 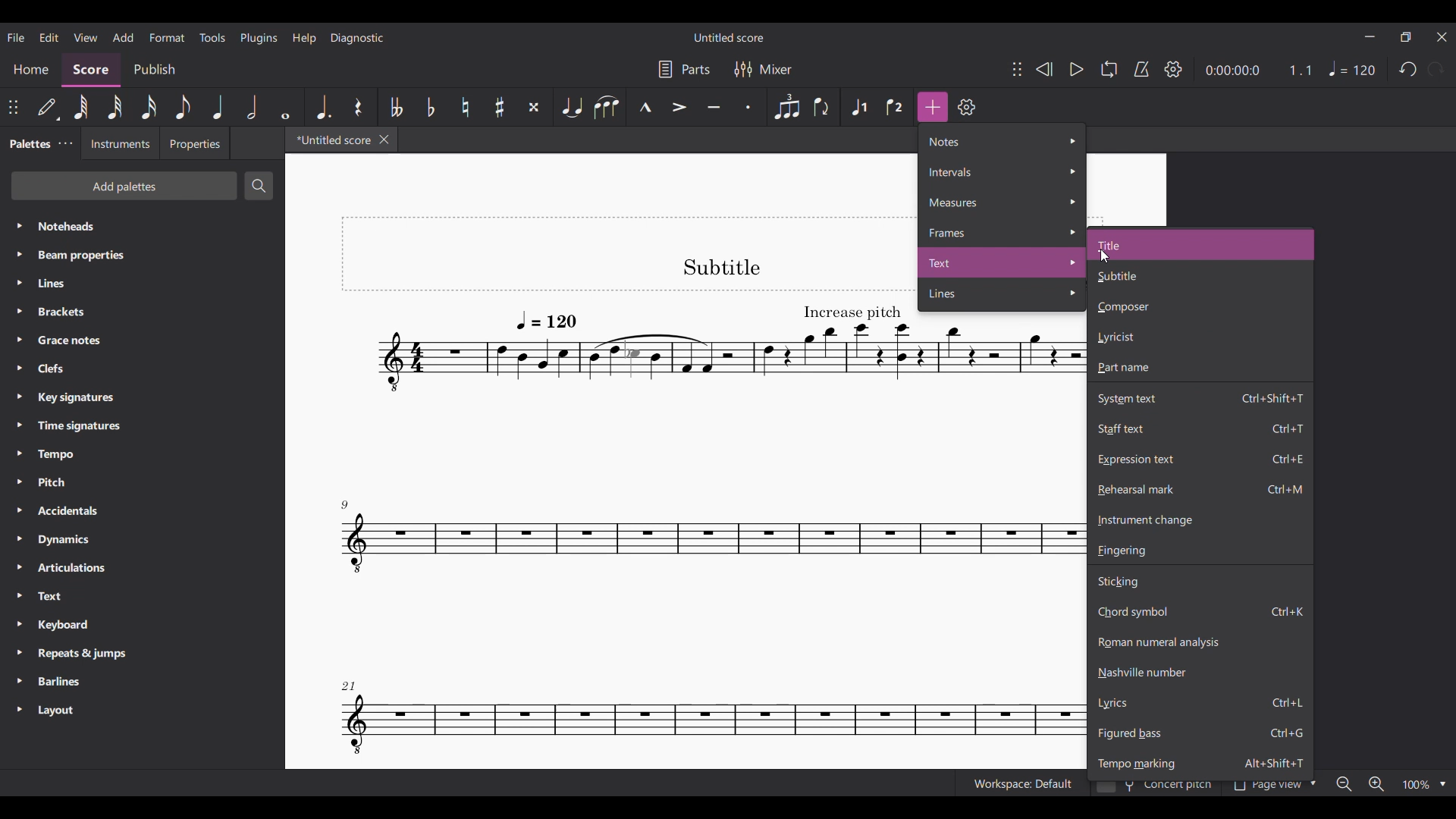 I want to click on Quarter note, so click(x=218, y=107).